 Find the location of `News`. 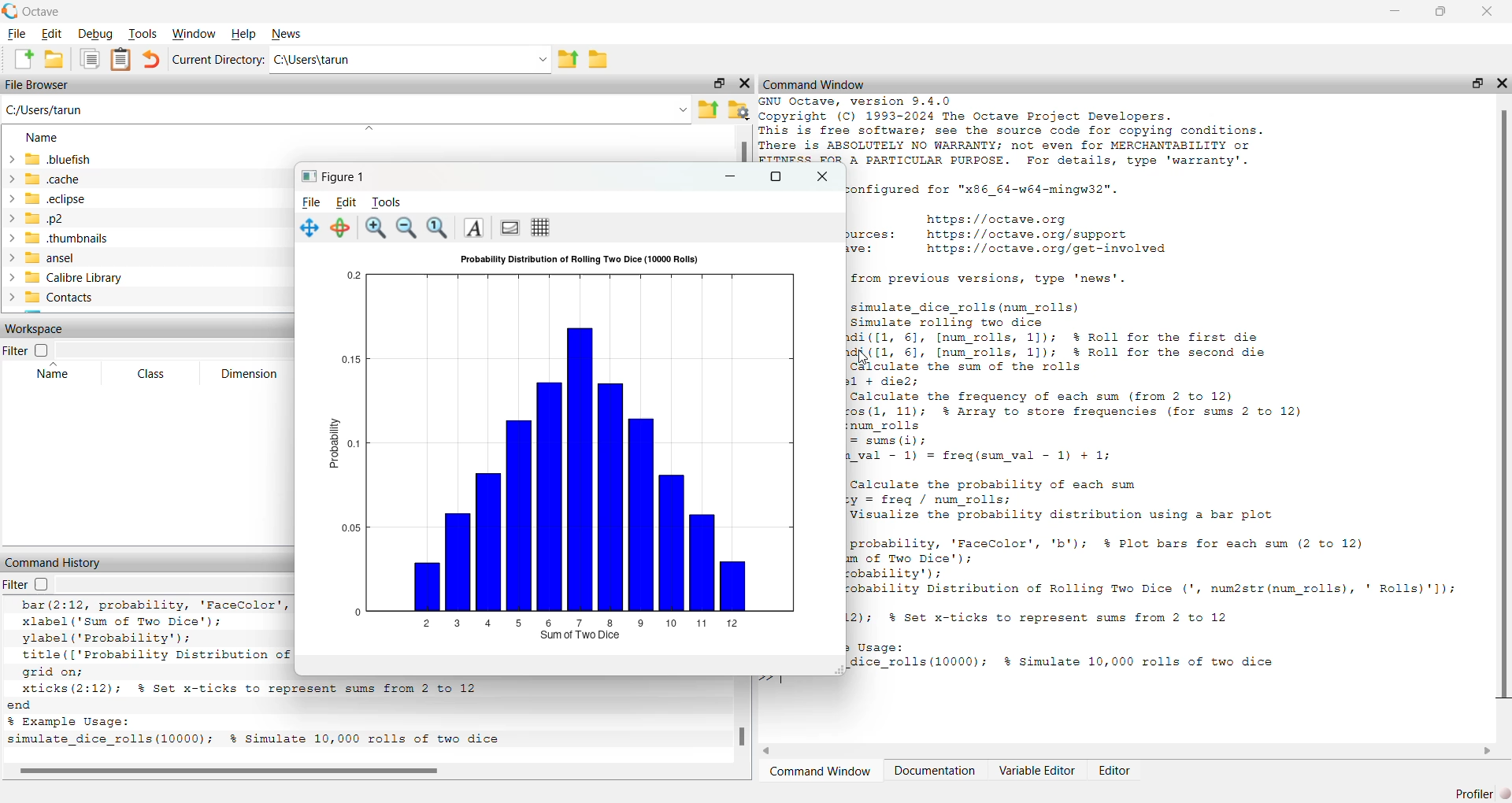

News is located at coordinates (291, 34).